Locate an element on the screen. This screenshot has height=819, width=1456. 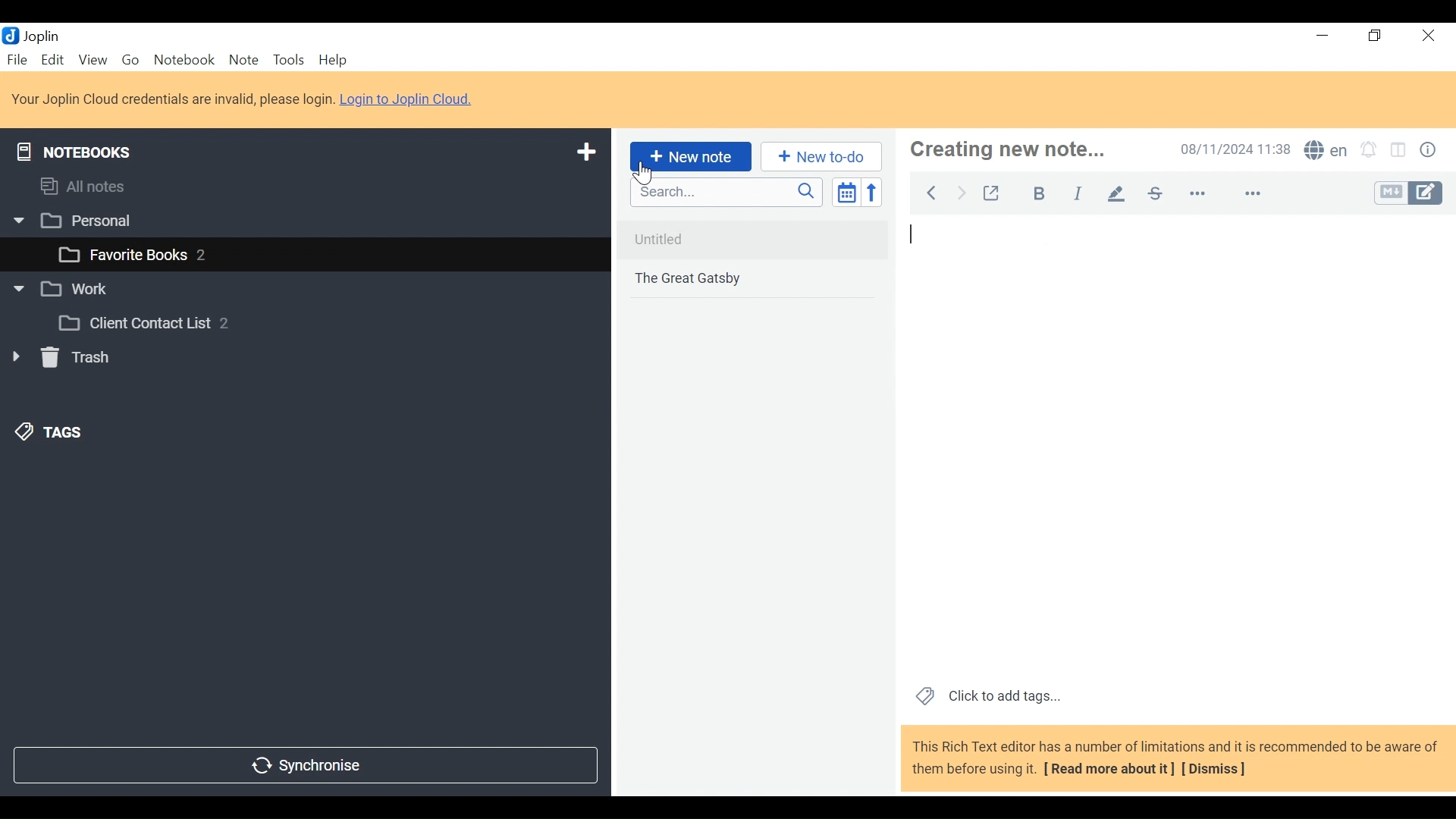
Restore is located at coordinates (1376, 35).